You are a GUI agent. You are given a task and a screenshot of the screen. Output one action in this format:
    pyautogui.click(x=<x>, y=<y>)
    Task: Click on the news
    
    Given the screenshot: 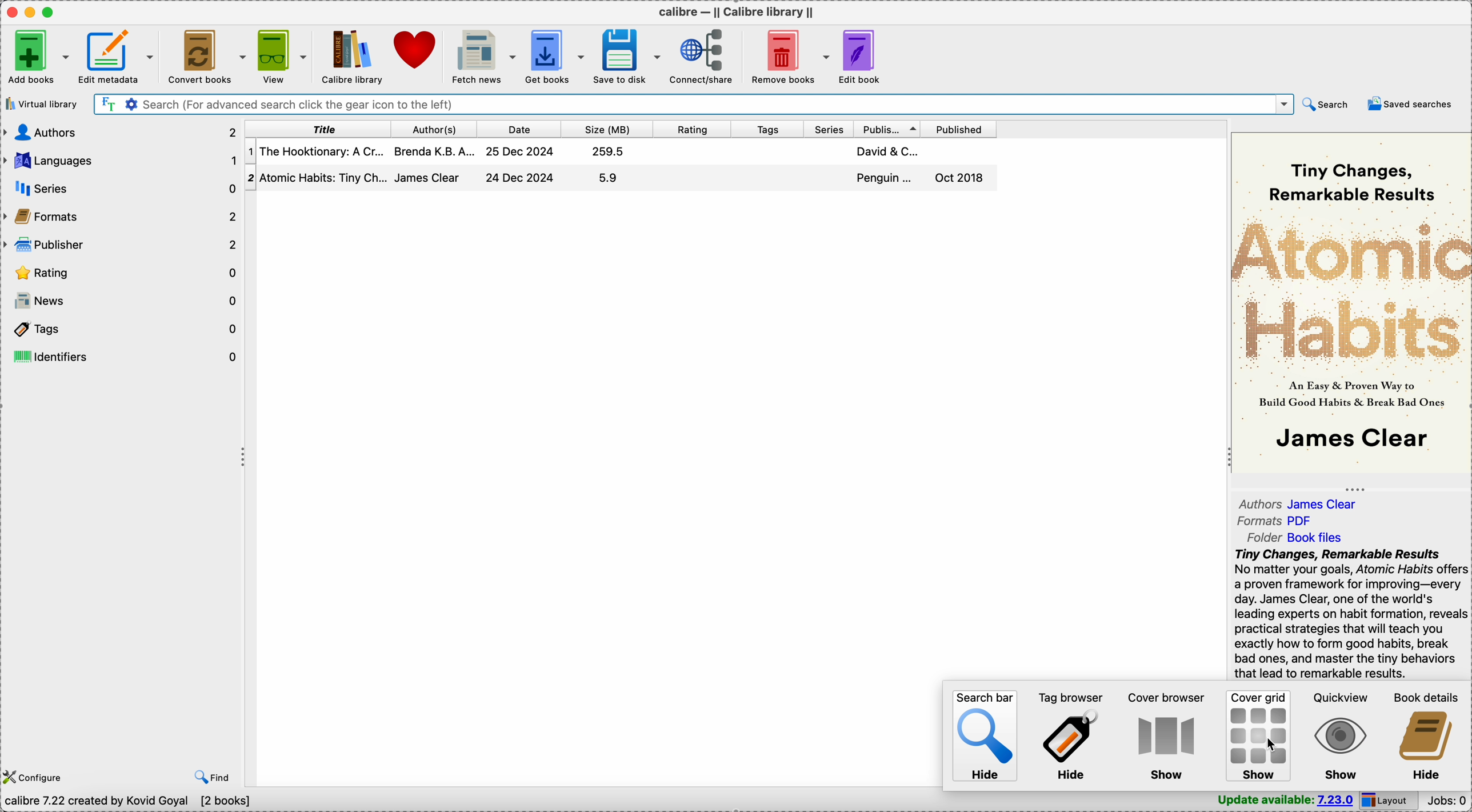 What is the action you would take?
    pyautogui.click(x=122, y=302)
    